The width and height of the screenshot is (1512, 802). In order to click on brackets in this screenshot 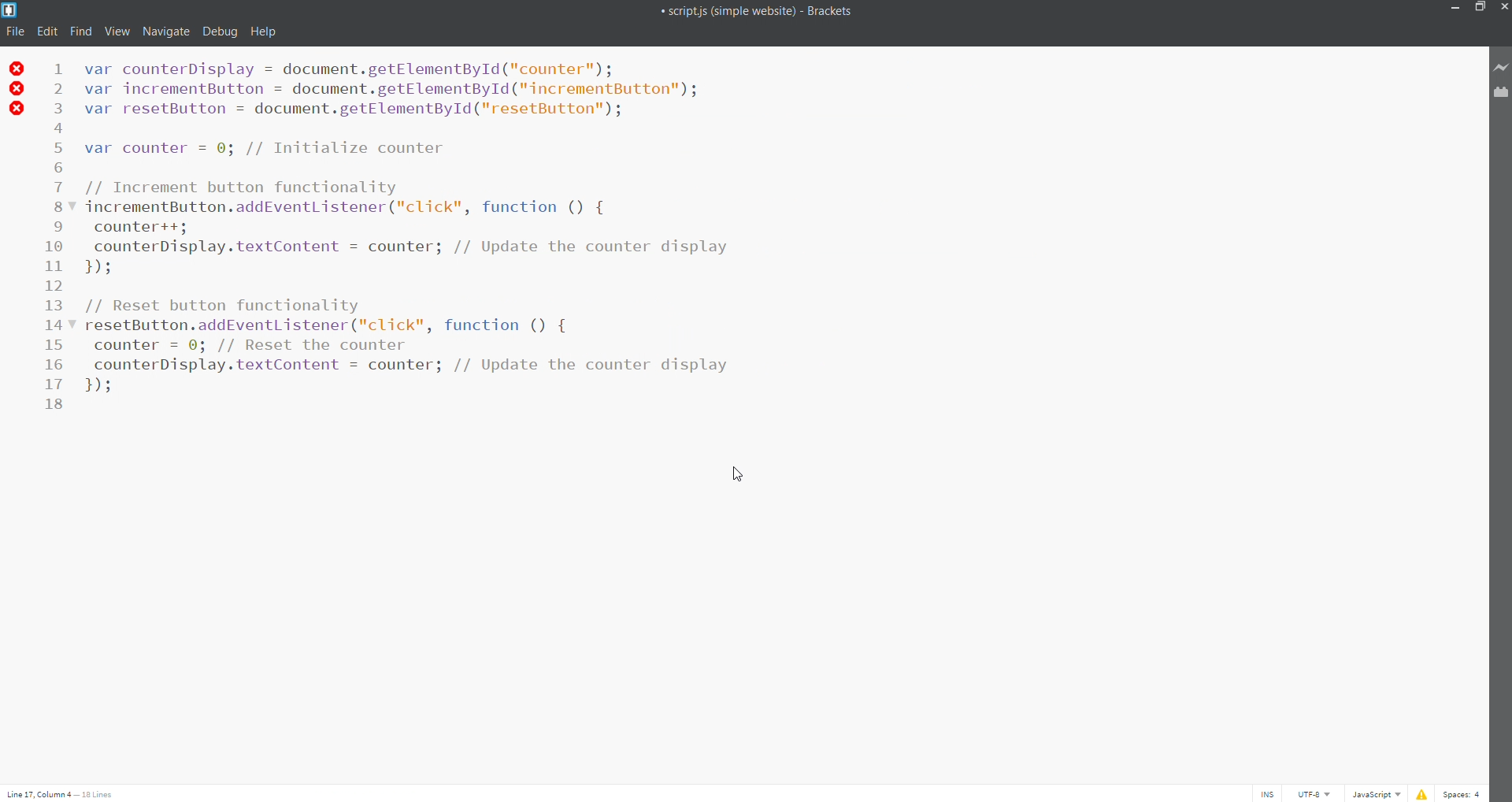, I will do `click(10, 9)`.